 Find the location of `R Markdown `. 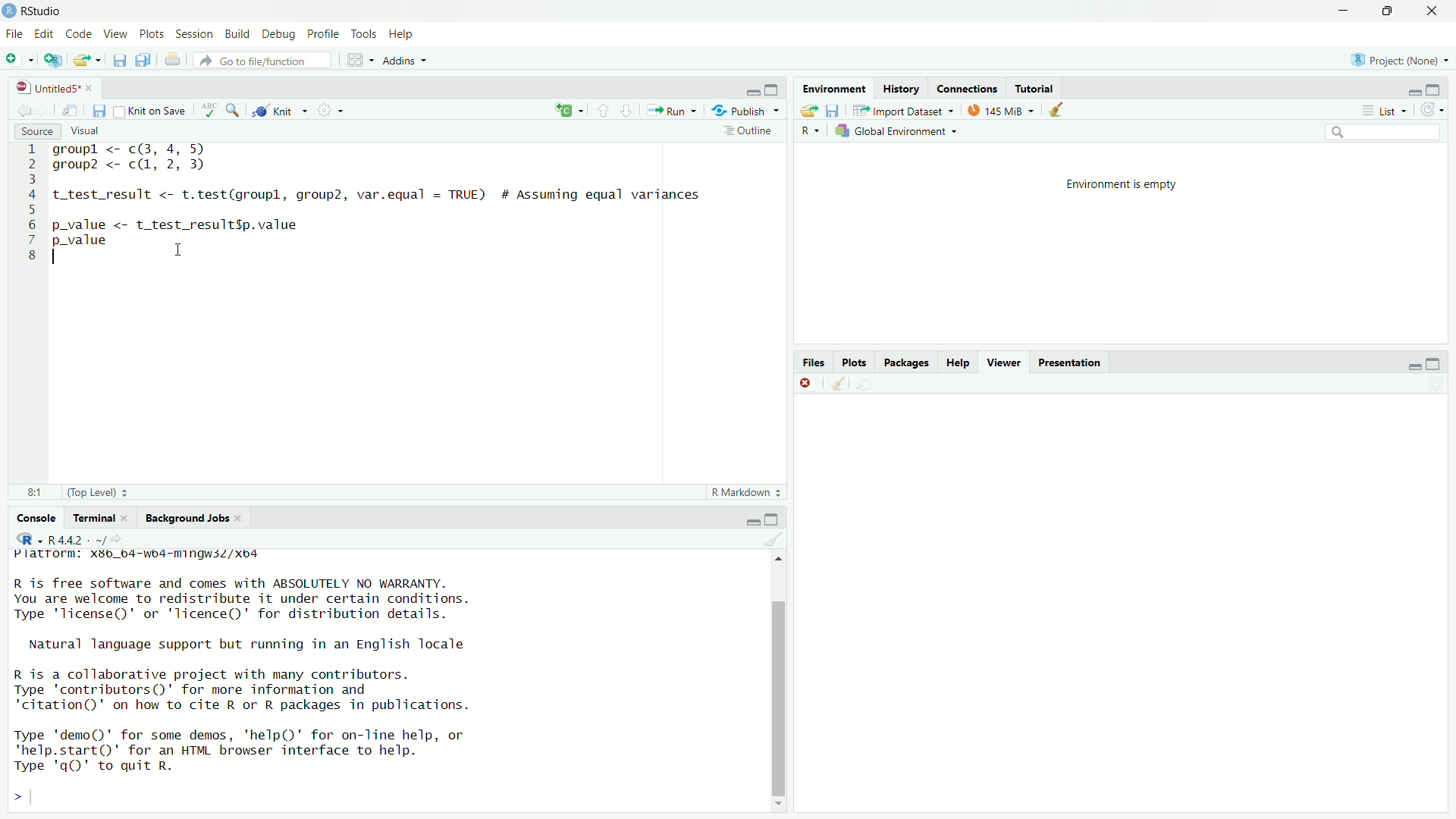

R Markdown  is located at coordinates (745, 493).